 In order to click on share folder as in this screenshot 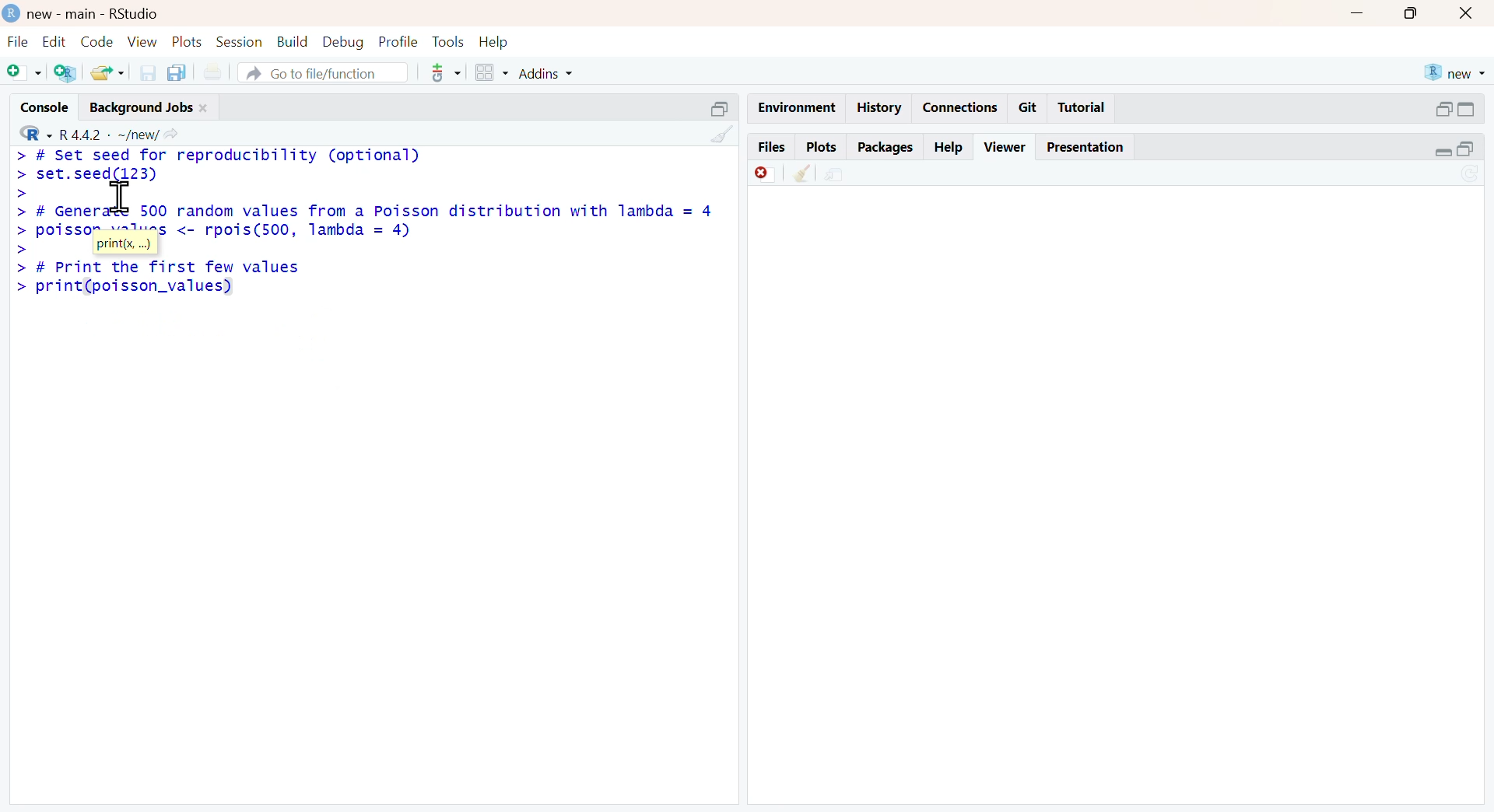, I will do `click(109, 72)`.